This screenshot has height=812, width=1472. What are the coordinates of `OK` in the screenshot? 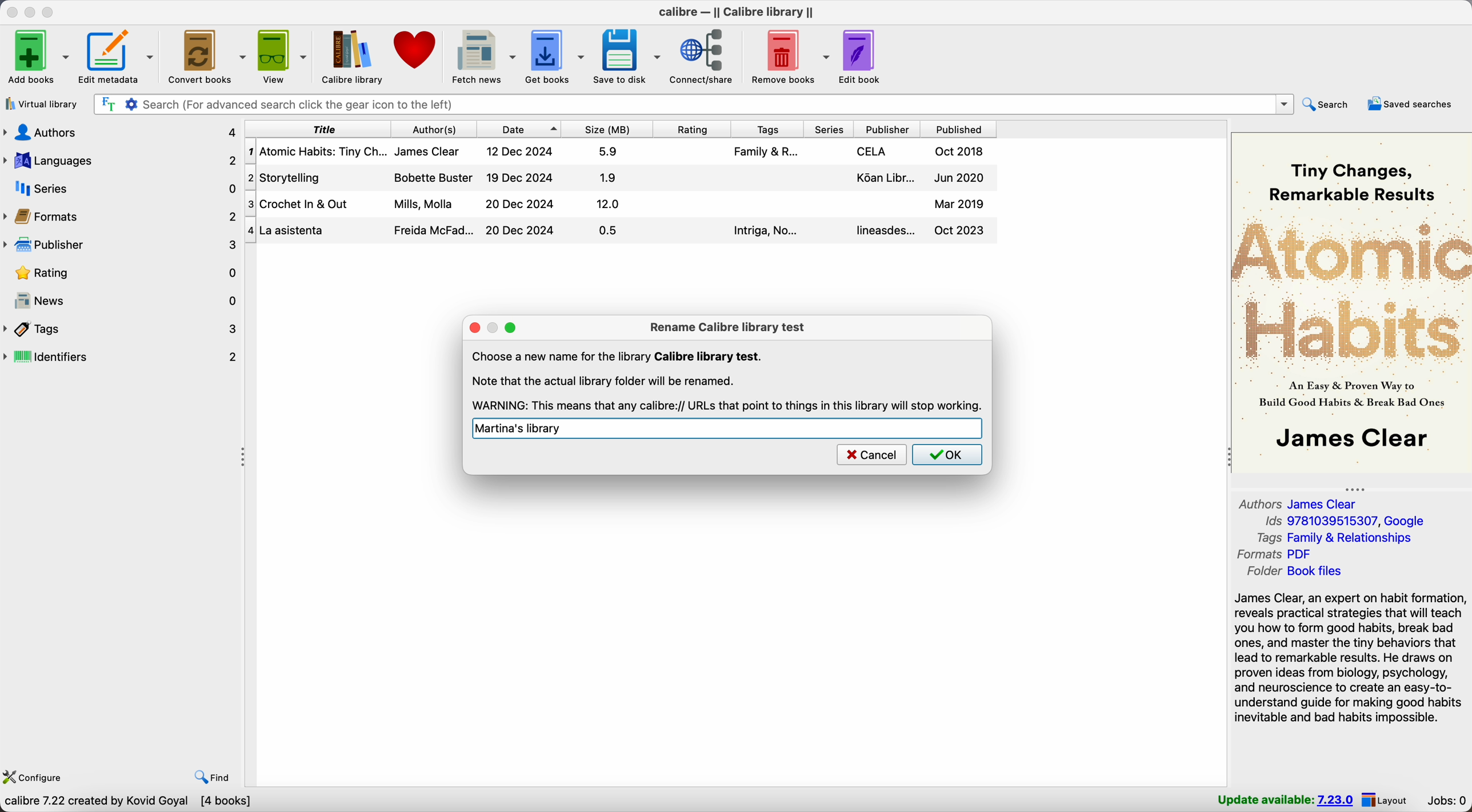 It's located at (947, 455).